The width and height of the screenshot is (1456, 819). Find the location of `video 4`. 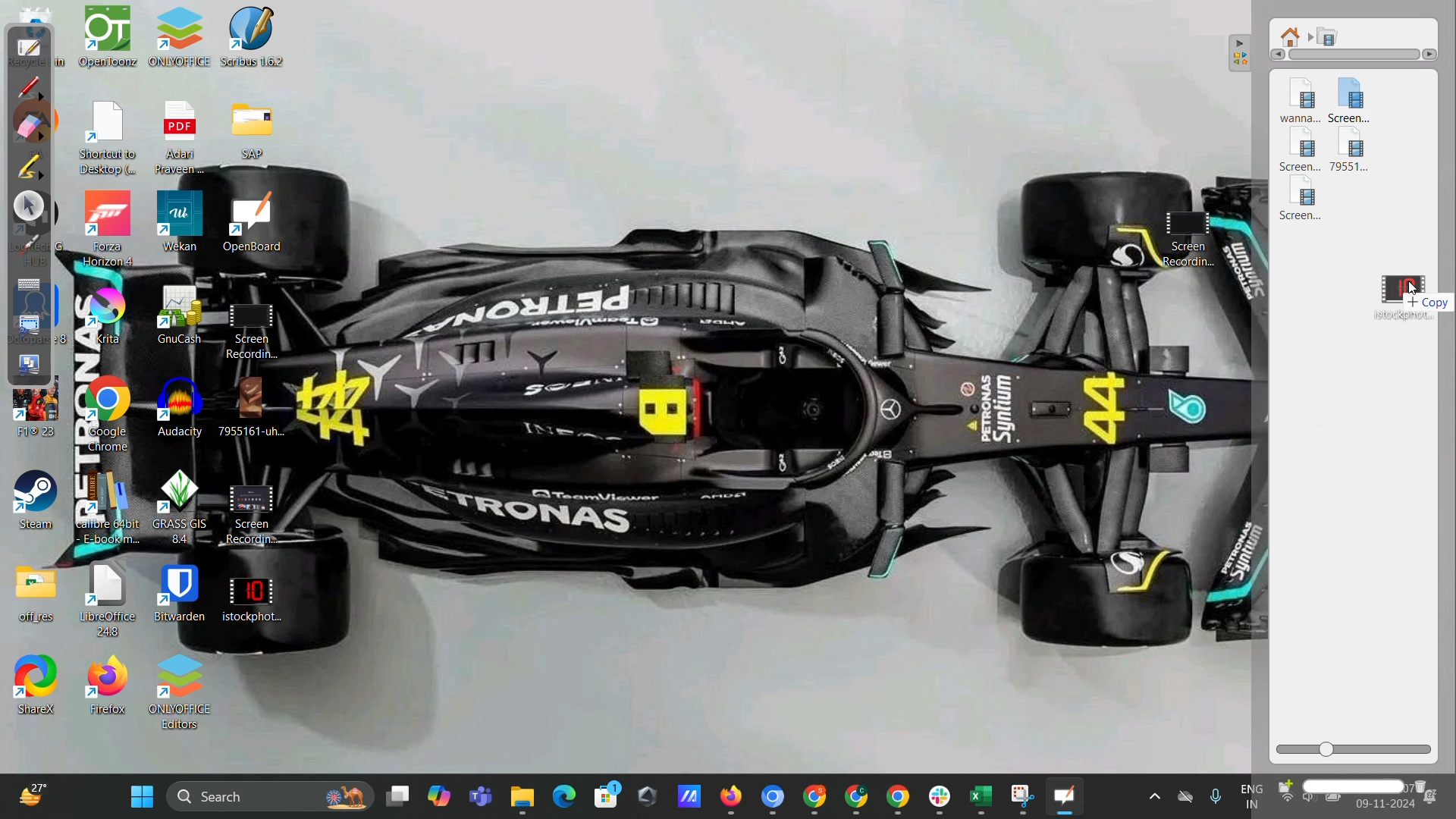

video 4 is located at coordinates (1358, 157).